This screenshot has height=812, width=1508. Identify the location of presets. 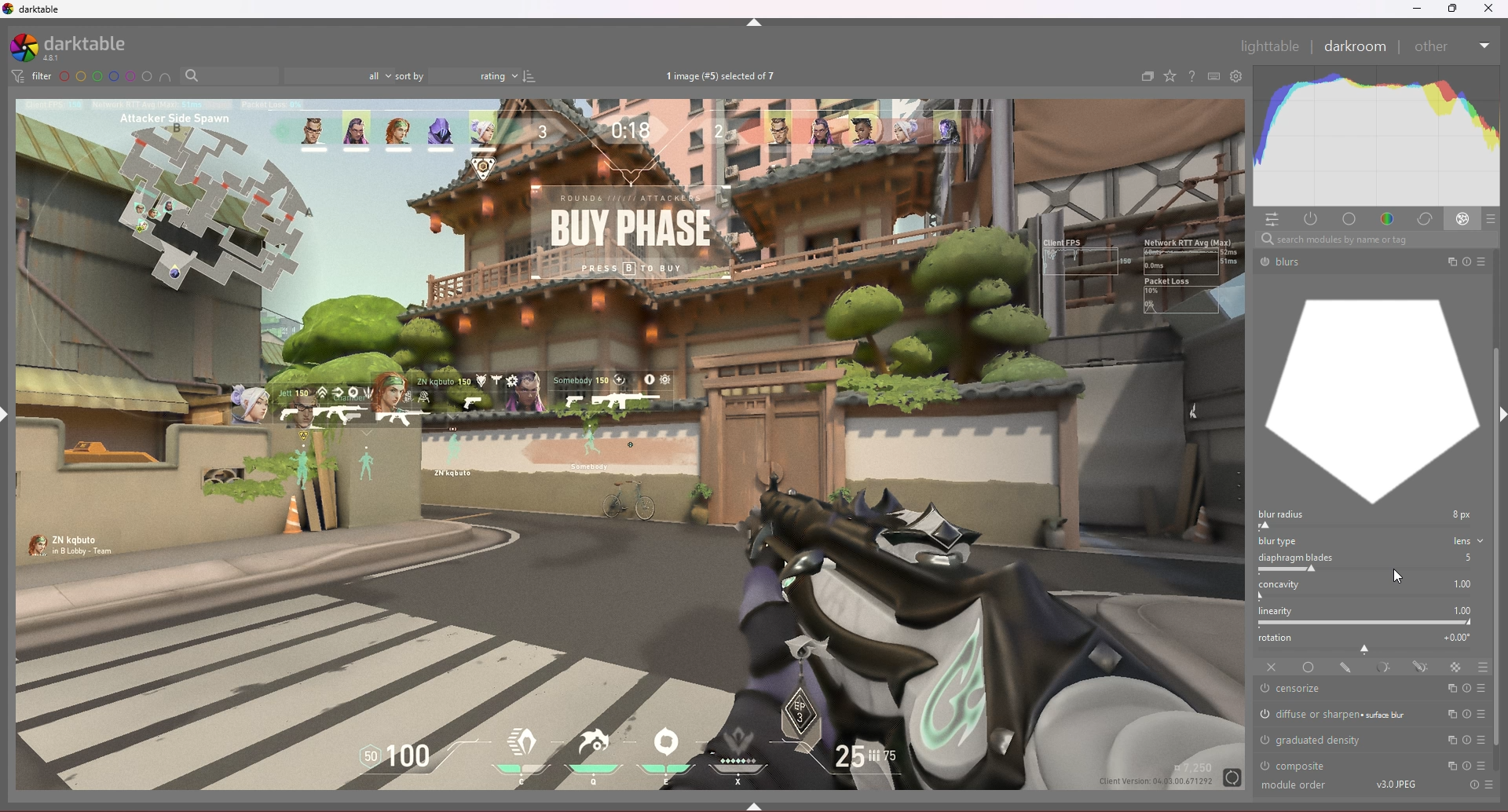
(1481, 714).